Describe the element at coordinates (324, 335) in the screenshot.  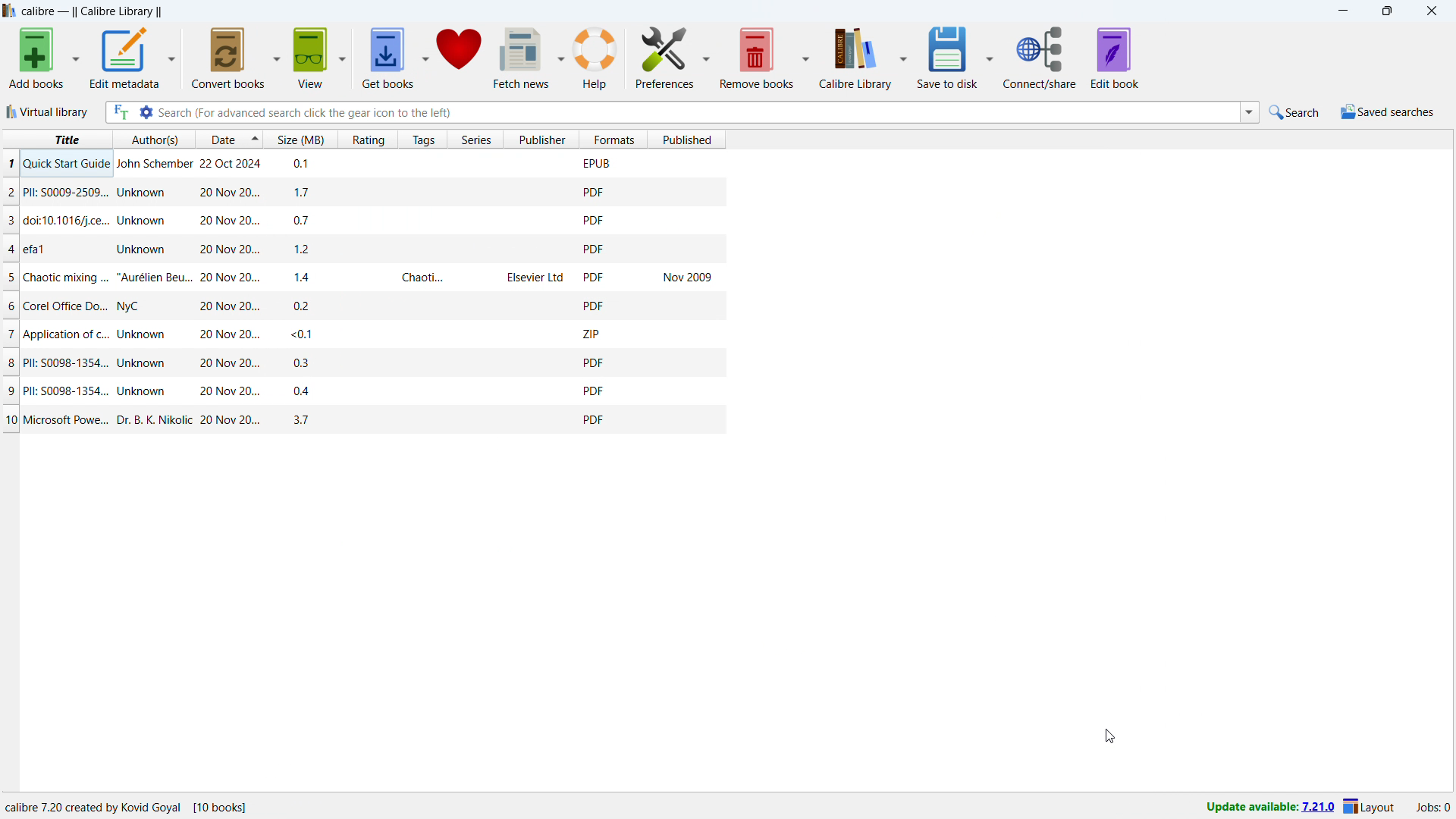
I see `7 | Application of c.. Unknown ~~ 20Nov20..  <0.1` at that location.